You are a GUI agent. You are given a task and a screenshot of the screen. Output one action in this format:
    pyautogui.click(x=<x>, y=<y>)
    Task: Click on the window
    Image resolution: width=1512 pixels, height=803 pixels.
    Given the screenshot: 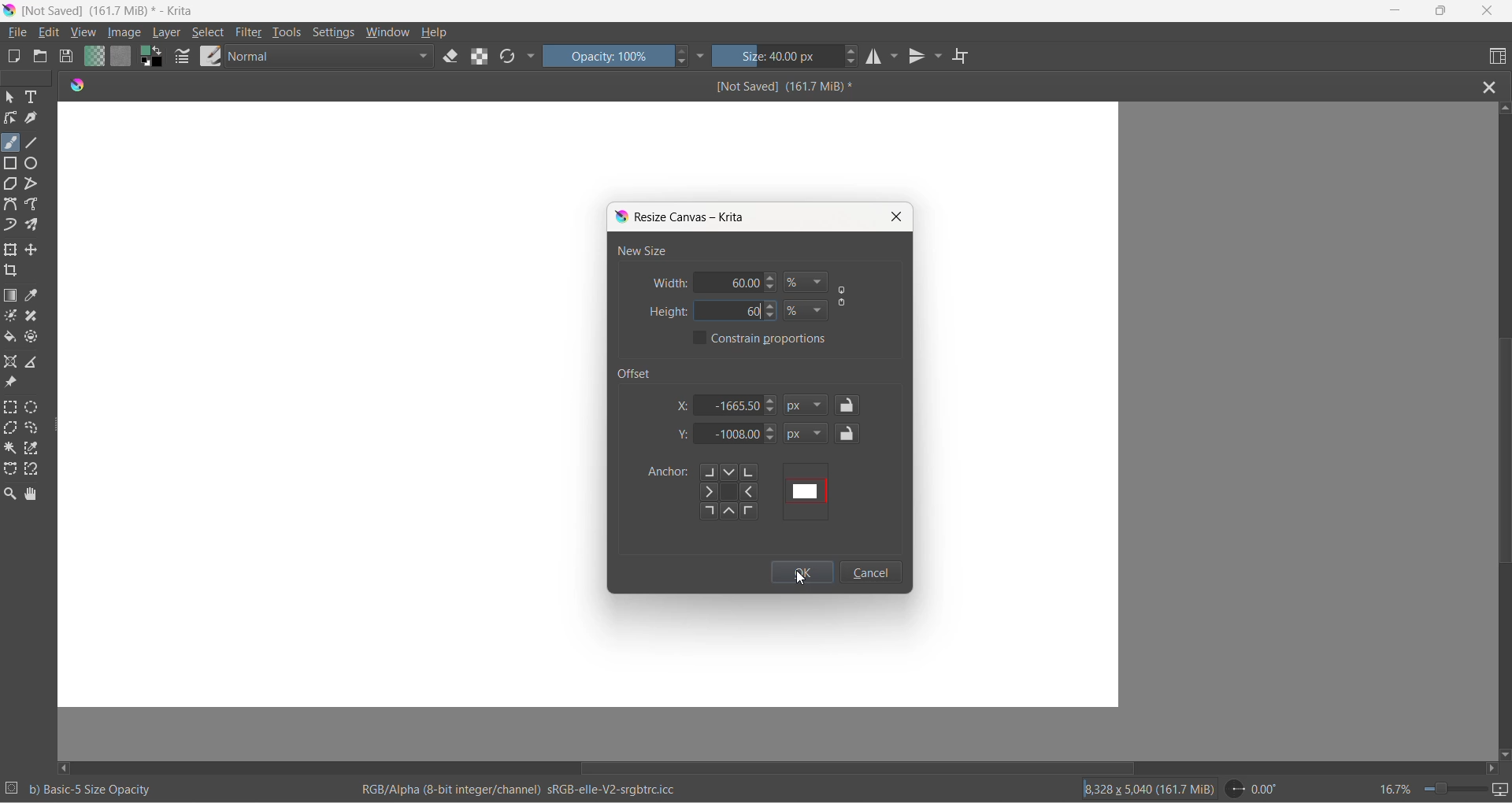 What is the action you would take?
    pyautogui.click(x=387, y=34)
    